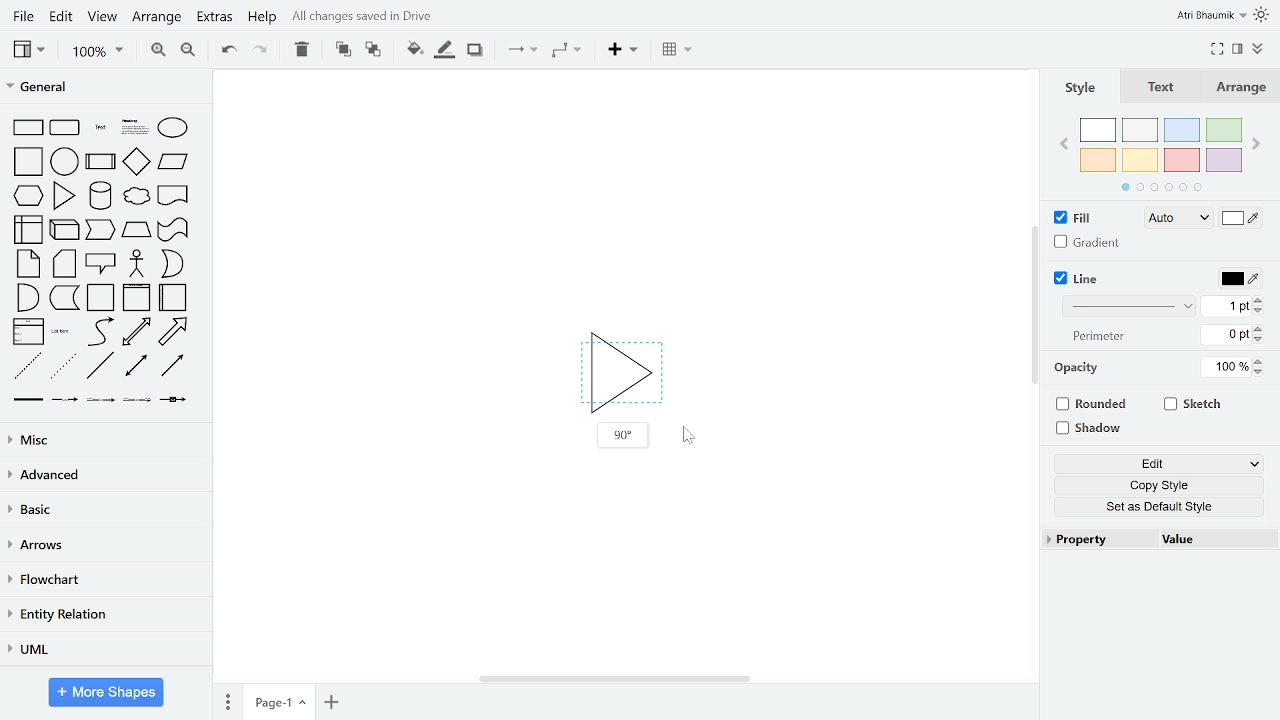  Describe the element at coordinates (66, 195) in the screenshot. I see `triangle` at that location.